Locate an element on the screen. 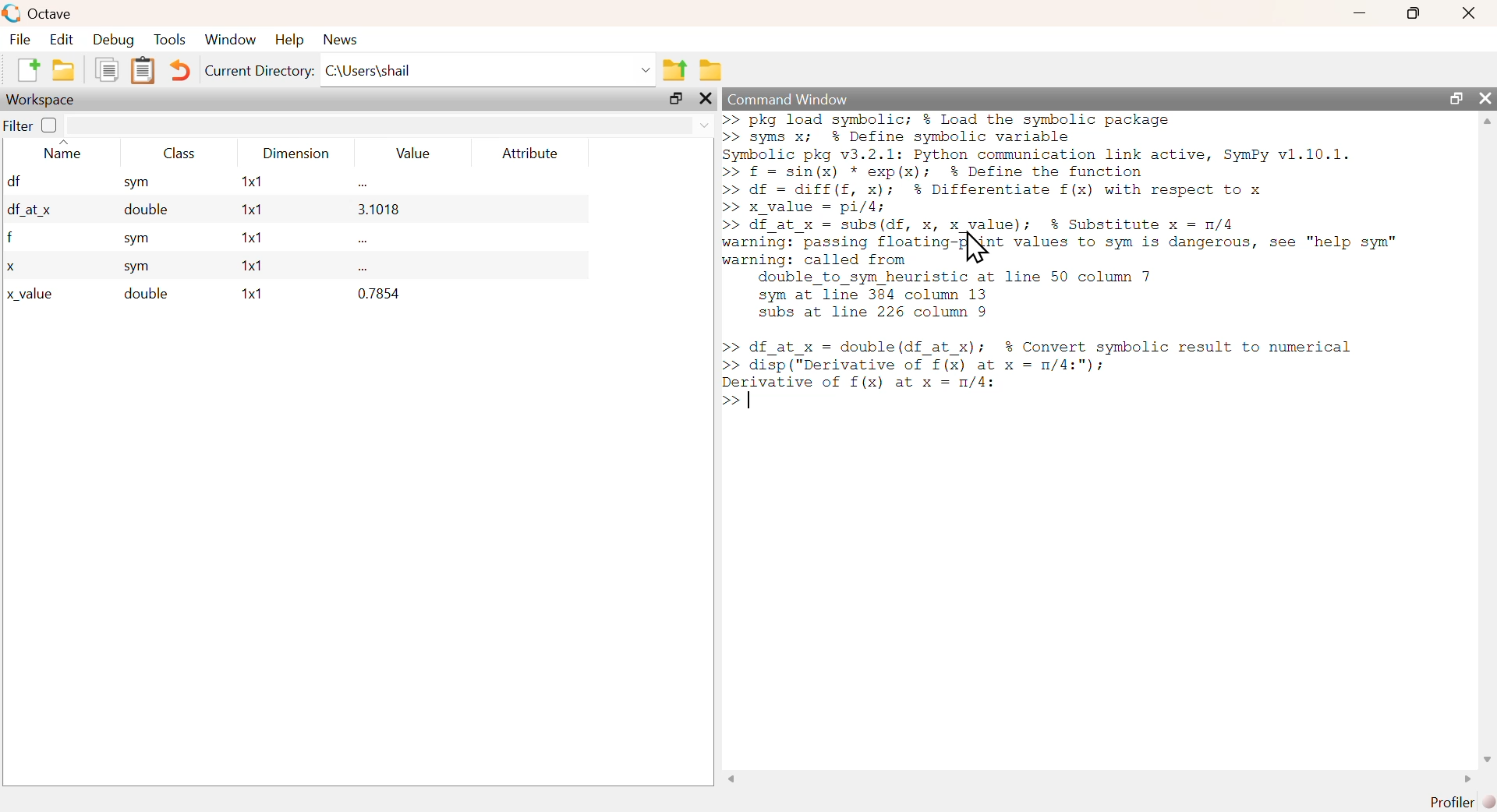 Image resolution: width=1497 pixels, height=812 pixels. 1x1 is located at coordinates (253, 210).